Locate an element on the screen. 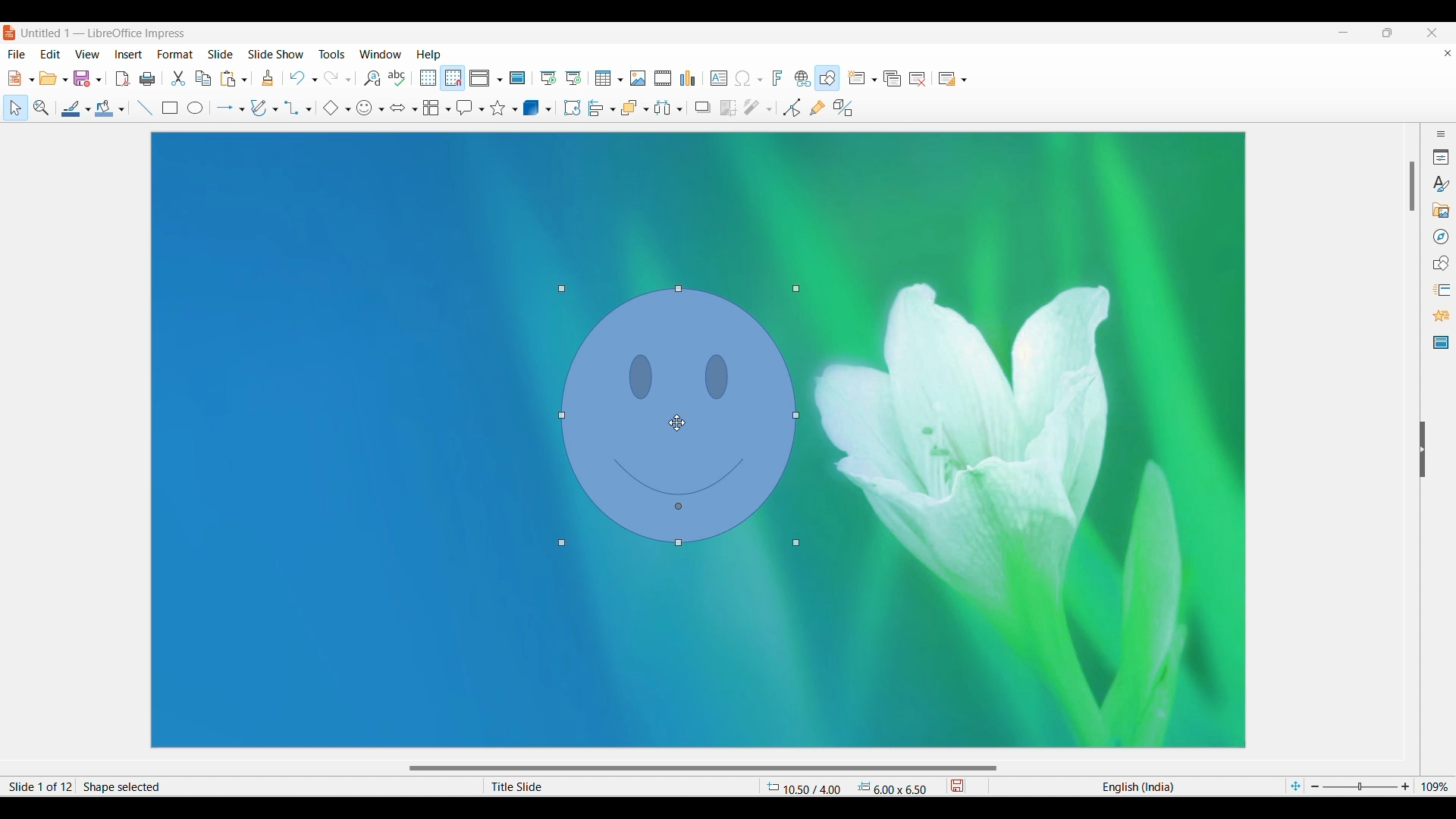  Spell check is located at coordinates (397, 78).